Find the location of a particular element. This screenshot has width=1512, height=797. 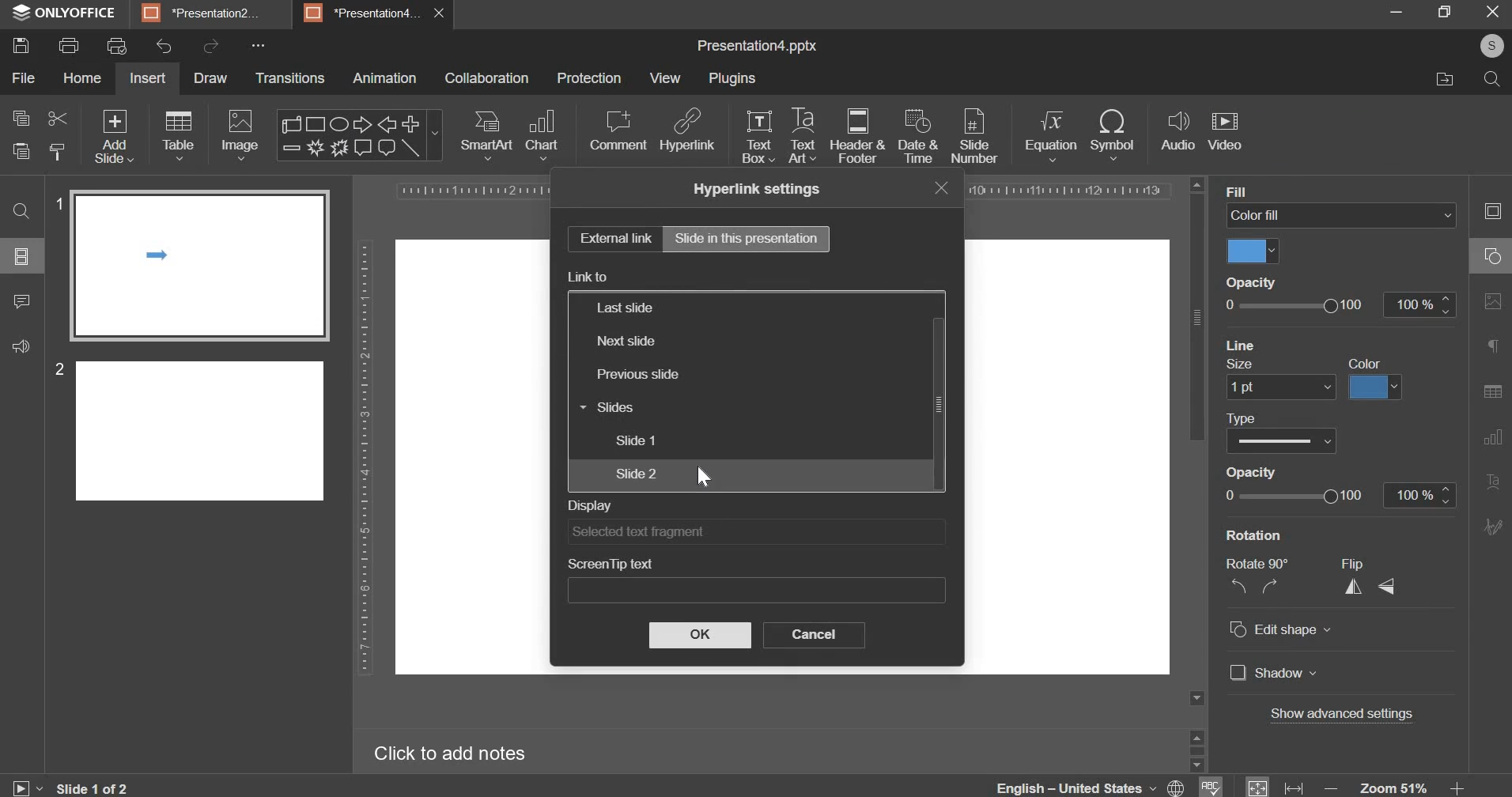

slide in this presentation is located at coordinates (747, 237).